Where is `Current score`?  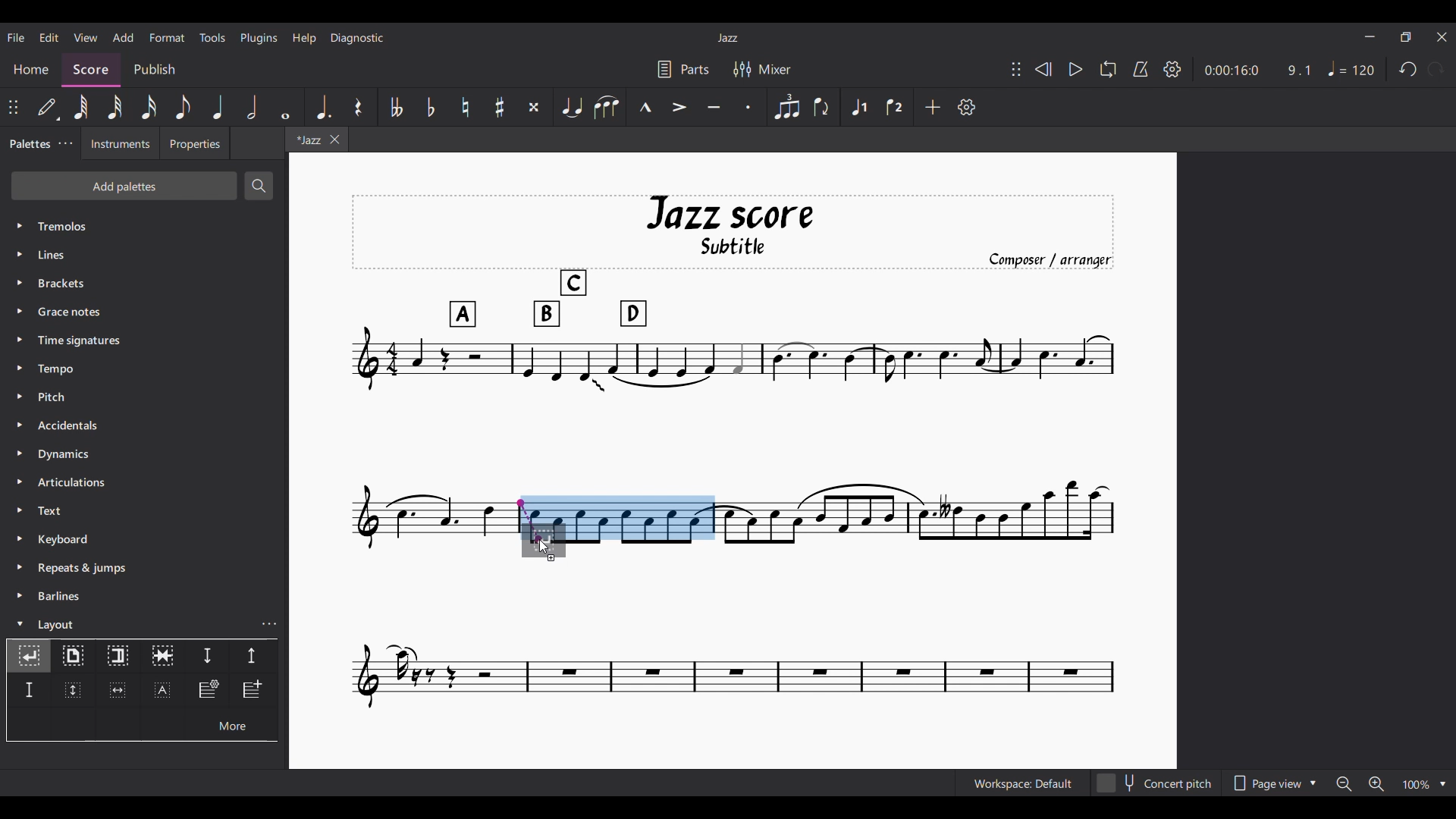
Current score is located at coordinates (431, 529).